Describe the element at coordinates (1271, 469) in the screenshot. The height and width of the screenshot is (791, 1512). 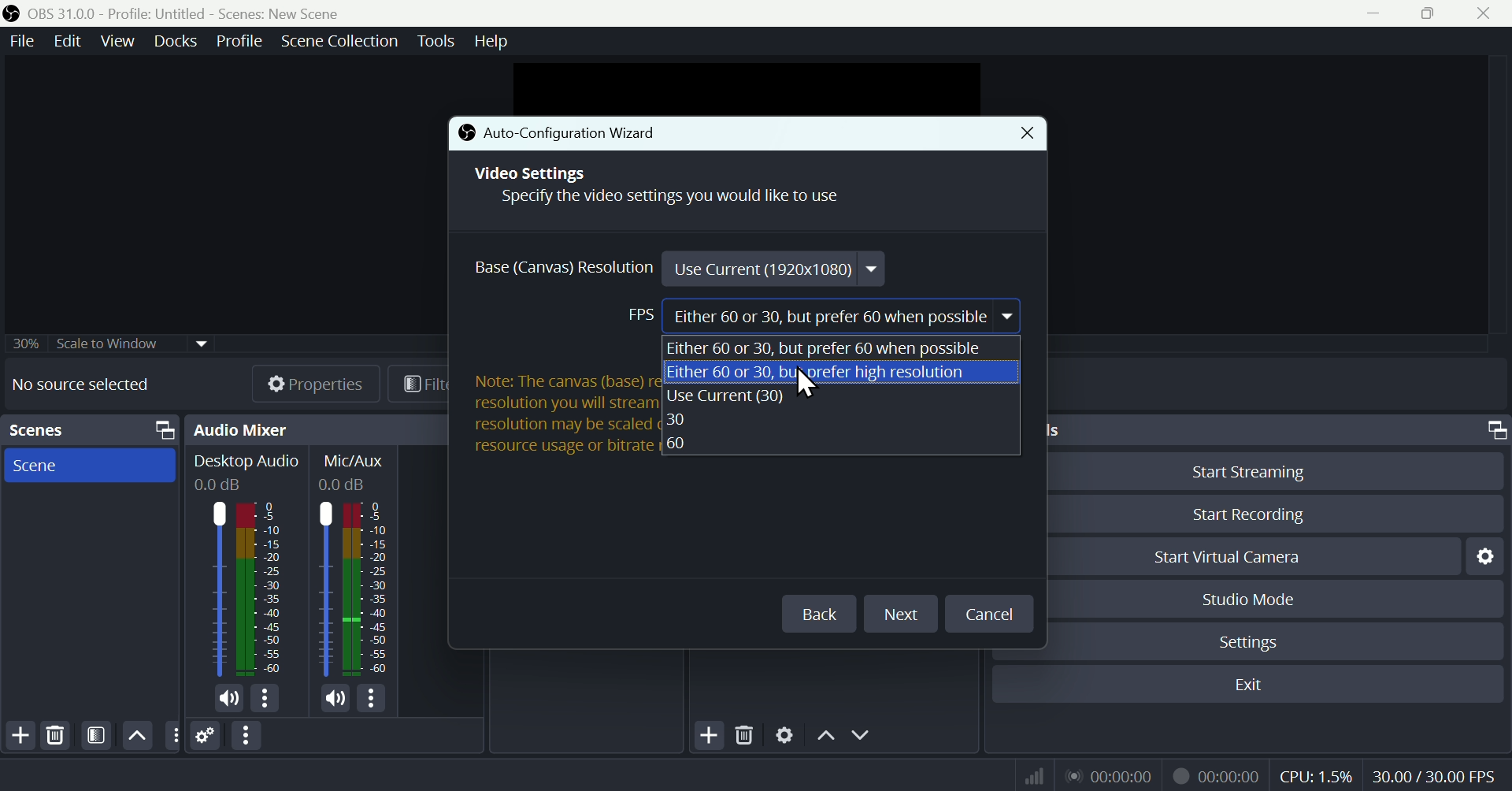
I see `Start Streaming` at that location.